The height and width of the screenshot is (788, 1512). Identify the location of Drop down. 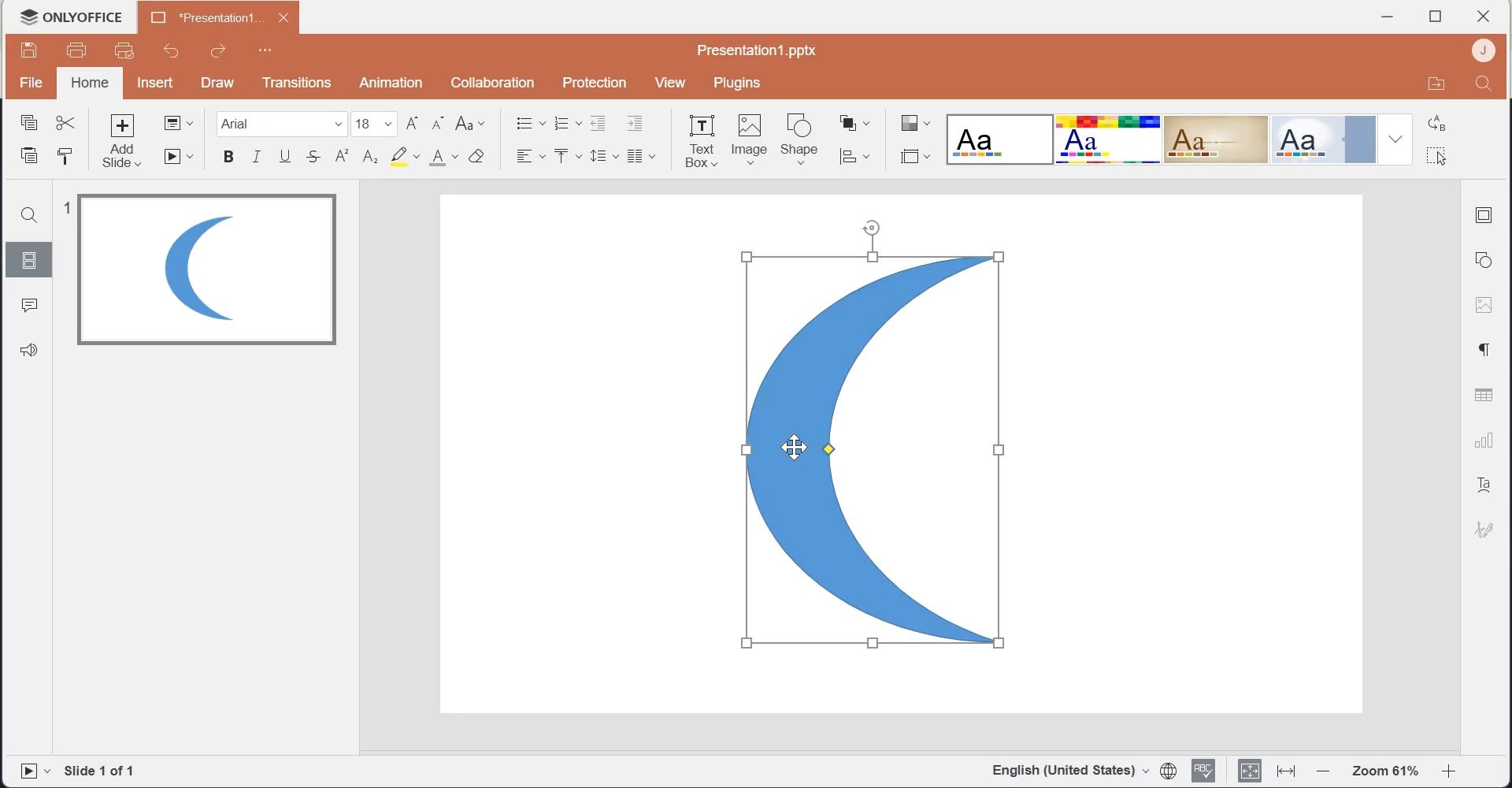
(1394, 139).